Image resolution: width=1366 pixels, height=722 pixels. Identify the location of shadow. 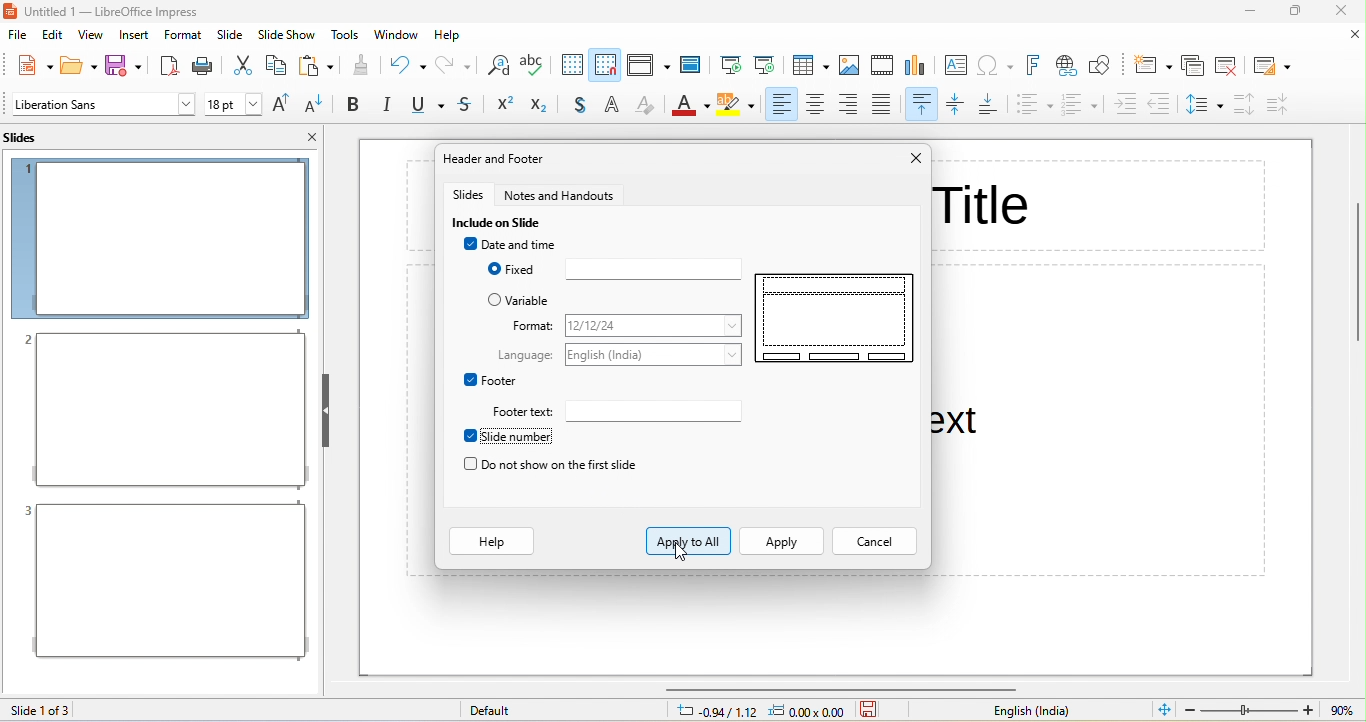
(583, 106).